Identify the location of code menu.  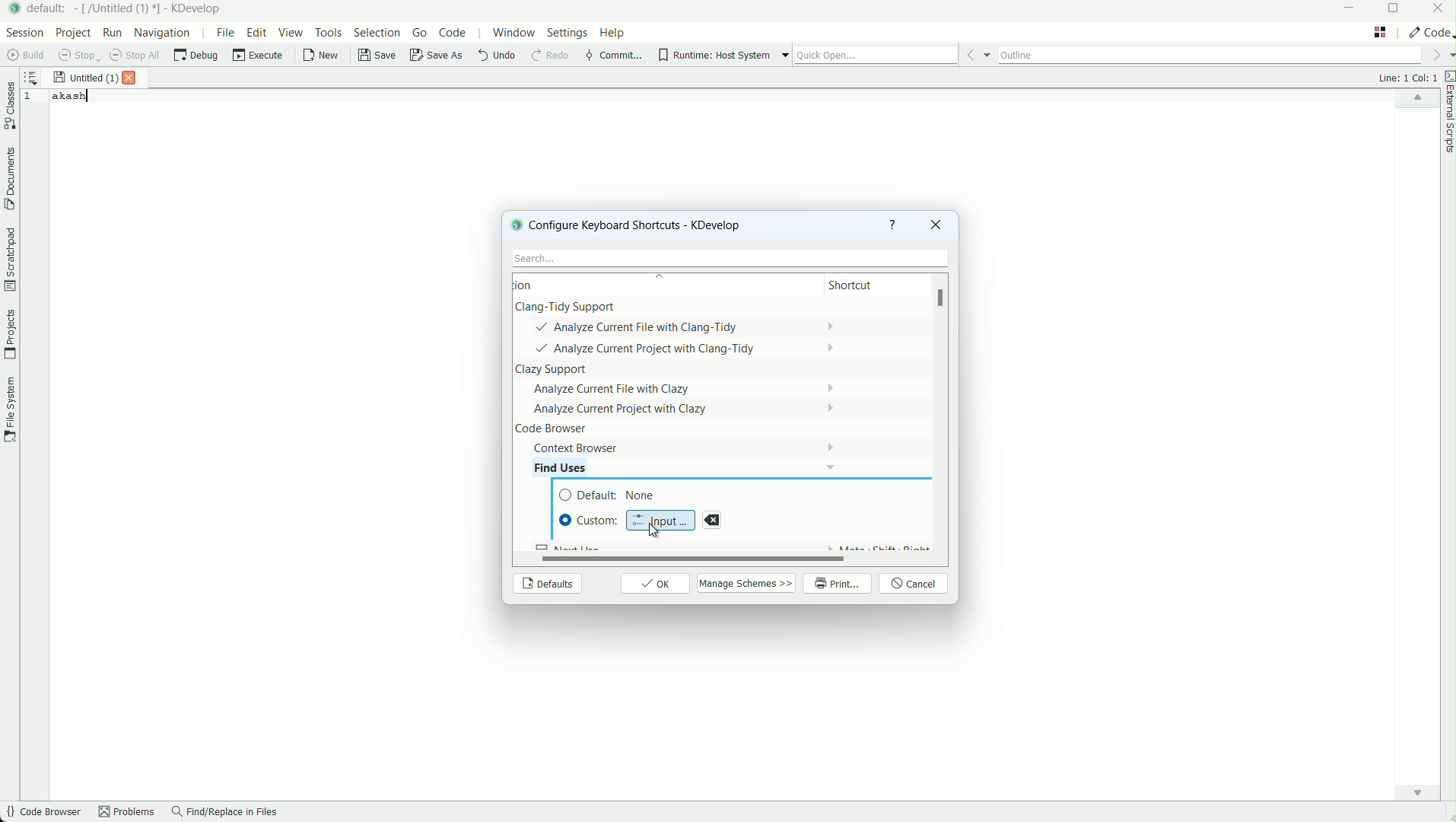
(453, 33).